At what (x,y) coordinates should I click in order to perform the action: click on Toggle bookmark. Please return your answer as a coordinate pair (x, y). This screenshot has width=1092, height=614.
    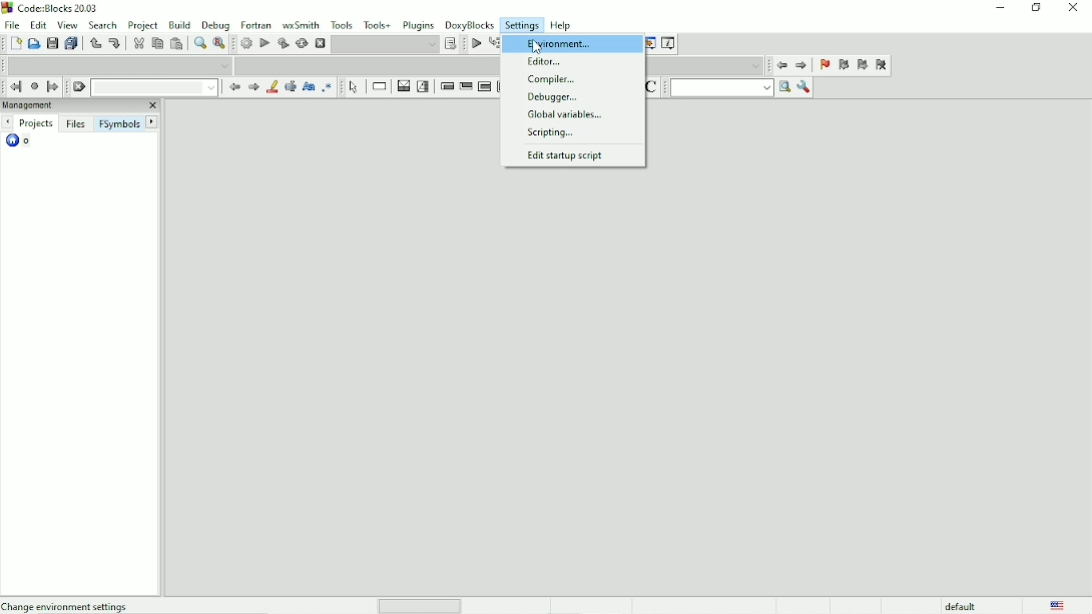
    Looking at the image, I should click on (823, 65).